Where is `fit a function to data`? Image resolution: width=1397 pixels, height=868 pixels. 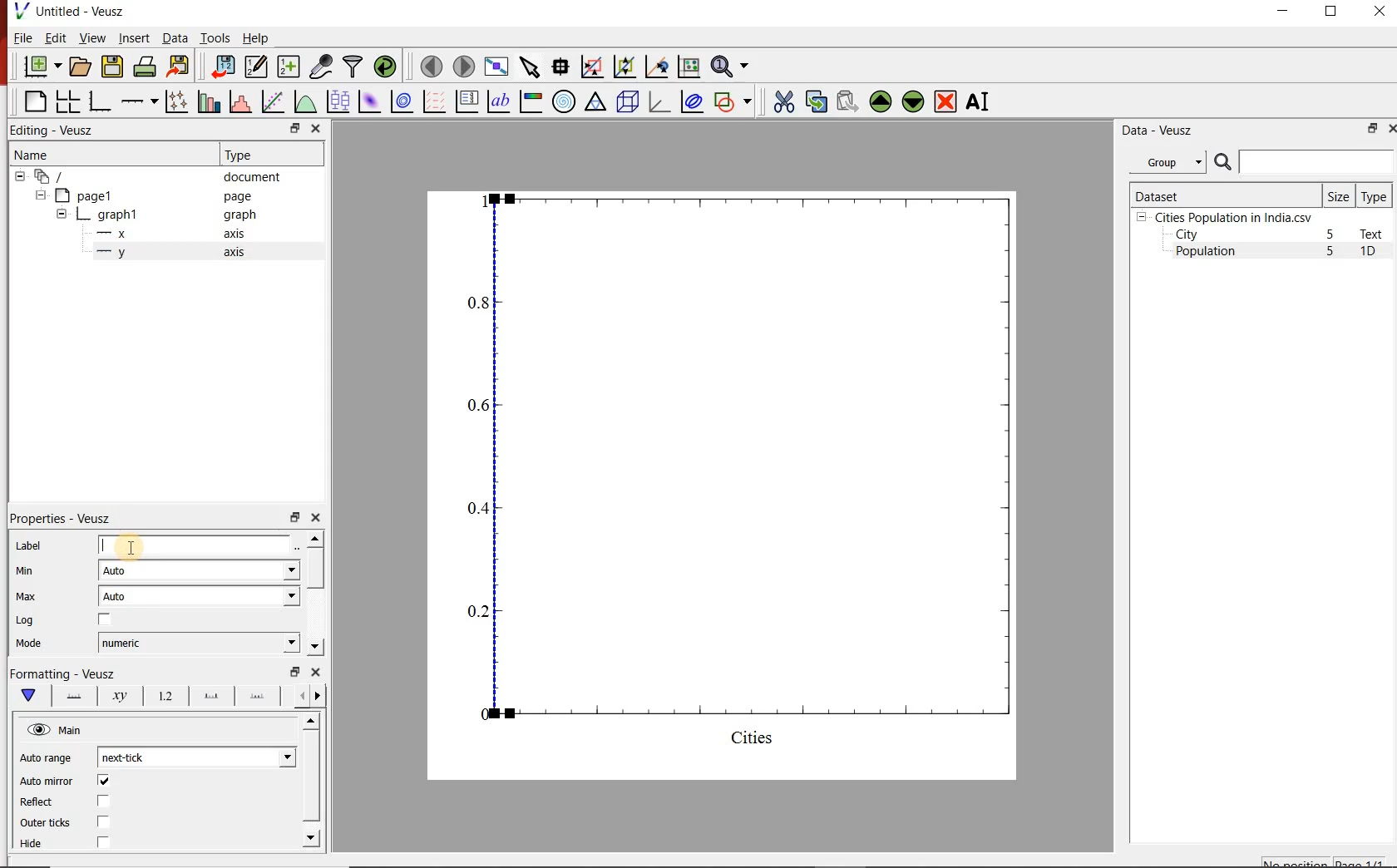 fit a function to data is located at coordinates (272, 101).